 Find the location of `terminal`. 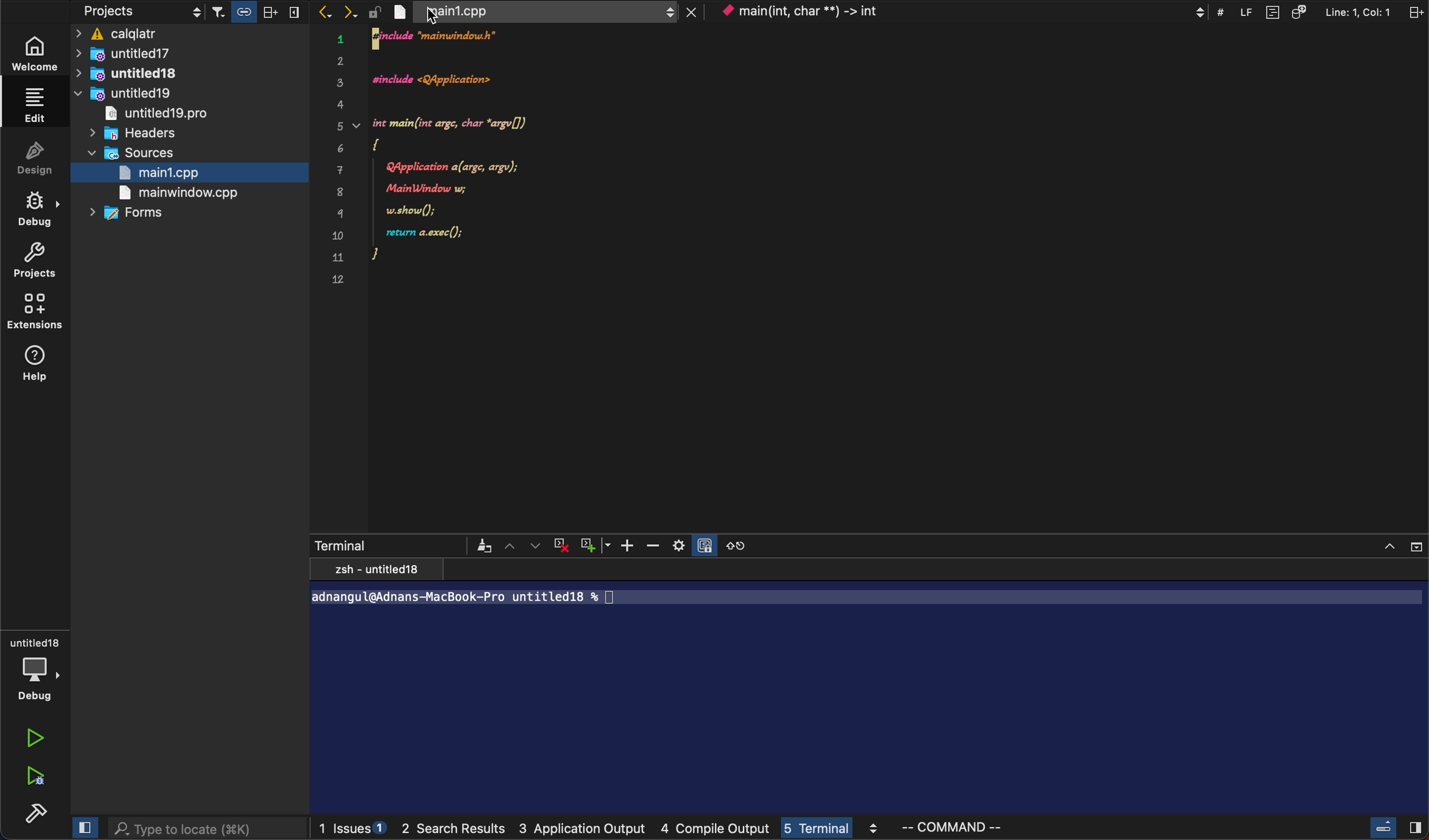

terminal is located at coordinates (389, 545).